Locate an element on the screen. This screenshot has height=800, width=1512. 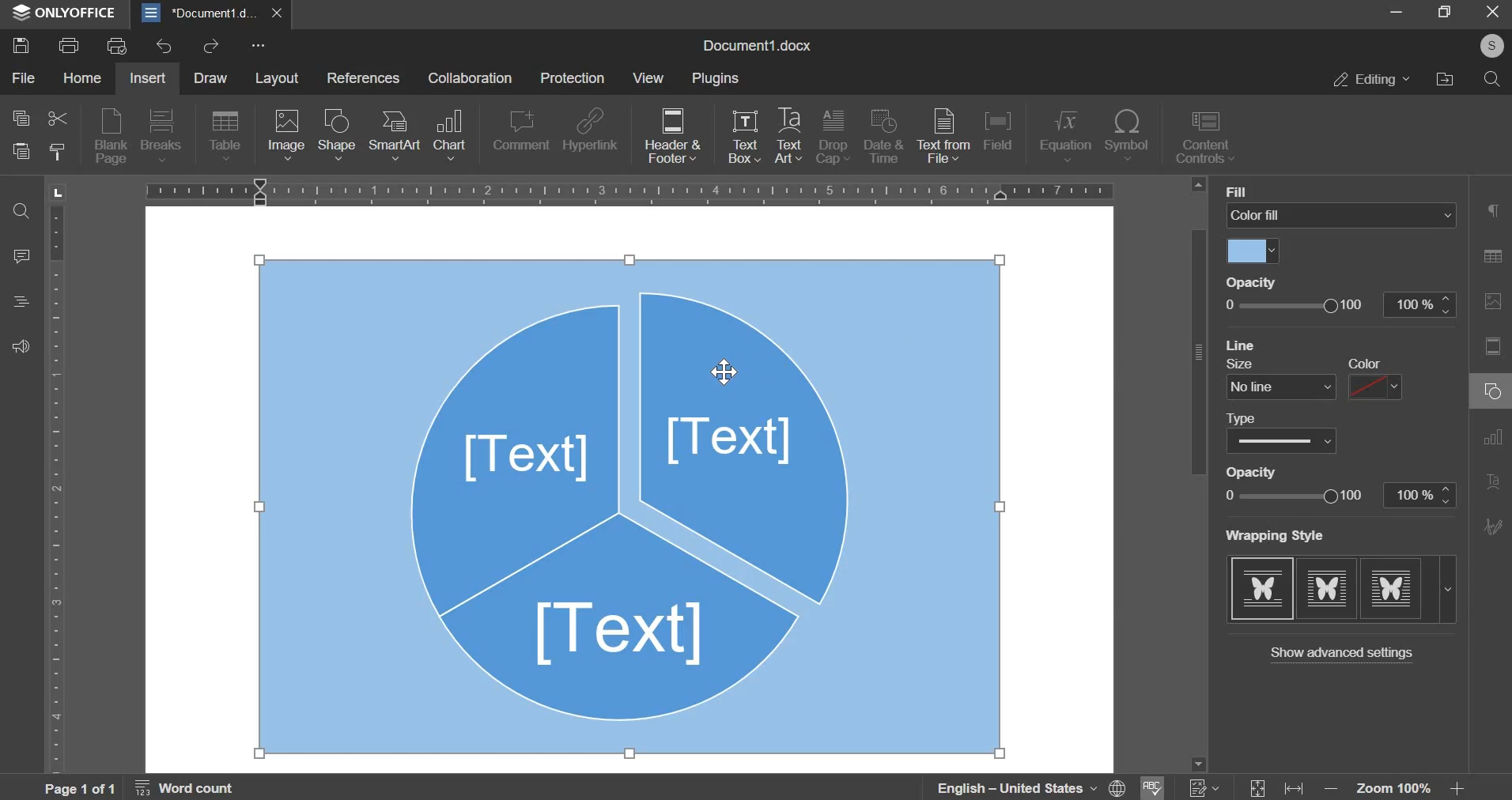
text art is located at coordinates (788, 139).